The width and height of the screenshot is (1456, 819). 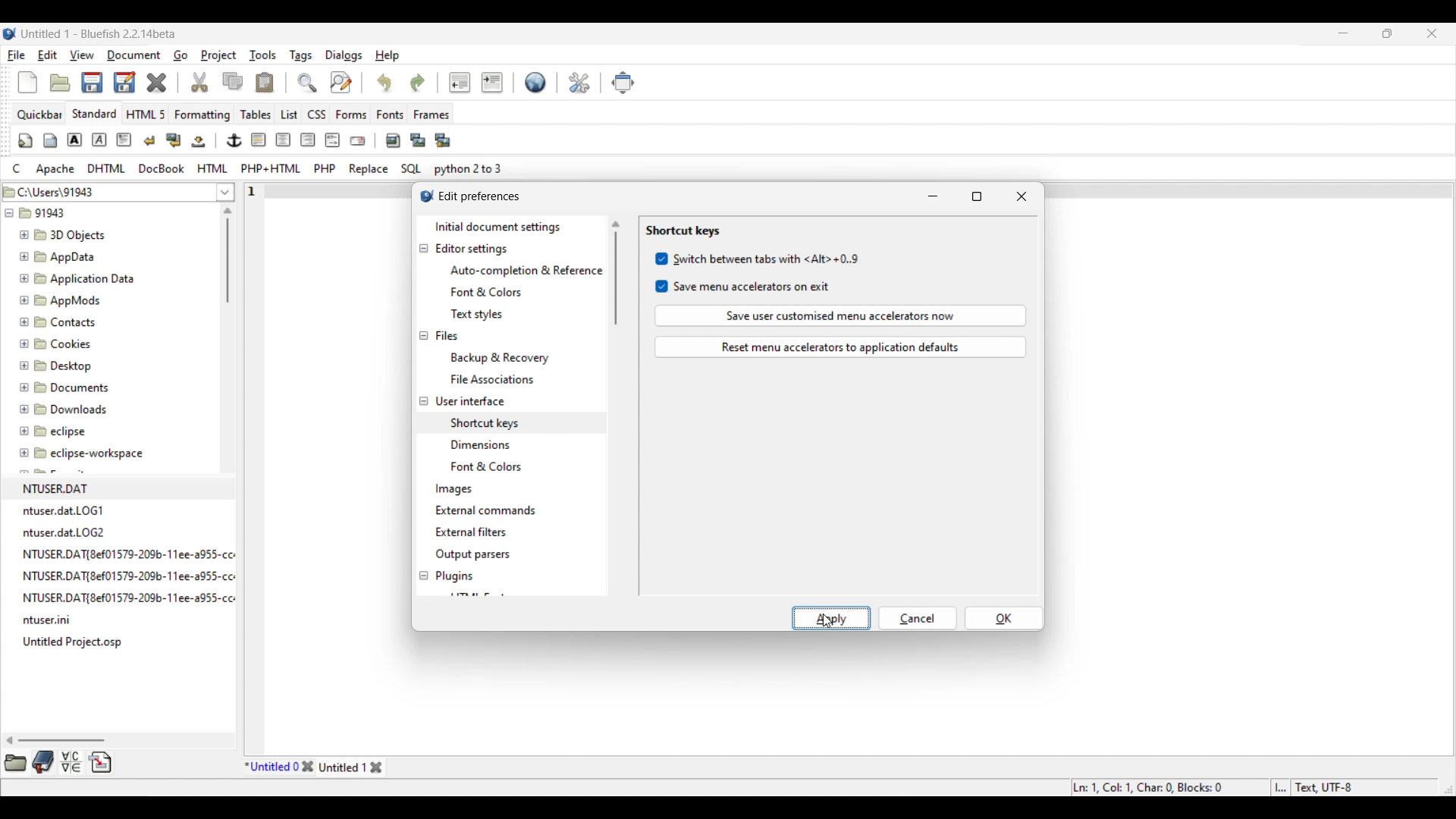 I want to click on Close, so click(x=156, y=83).